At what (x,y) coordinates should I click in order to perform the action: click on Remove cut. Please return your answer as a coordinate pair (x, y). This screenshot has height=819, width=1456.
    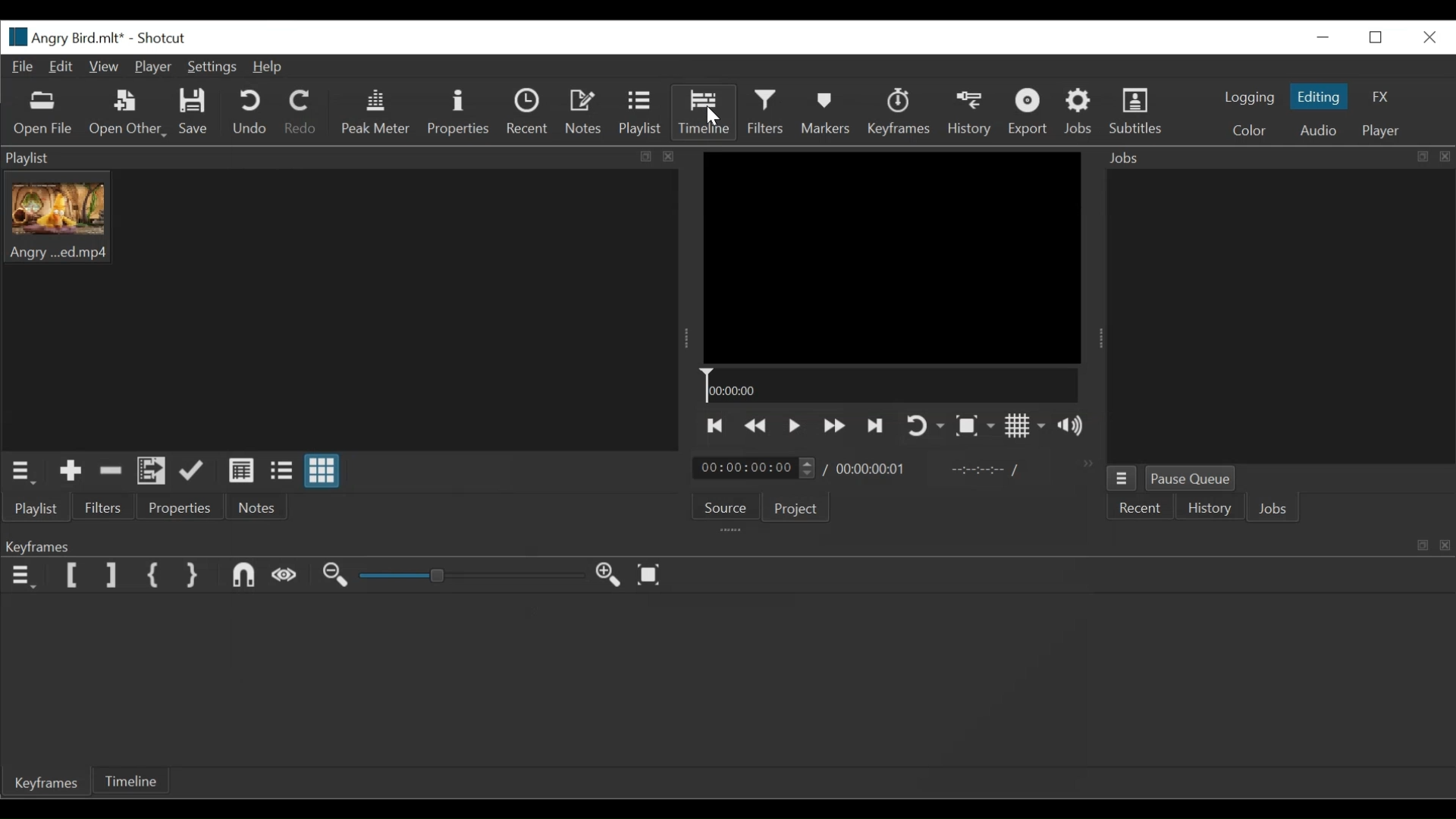
    Looking at the image, I should click on (111, 472).